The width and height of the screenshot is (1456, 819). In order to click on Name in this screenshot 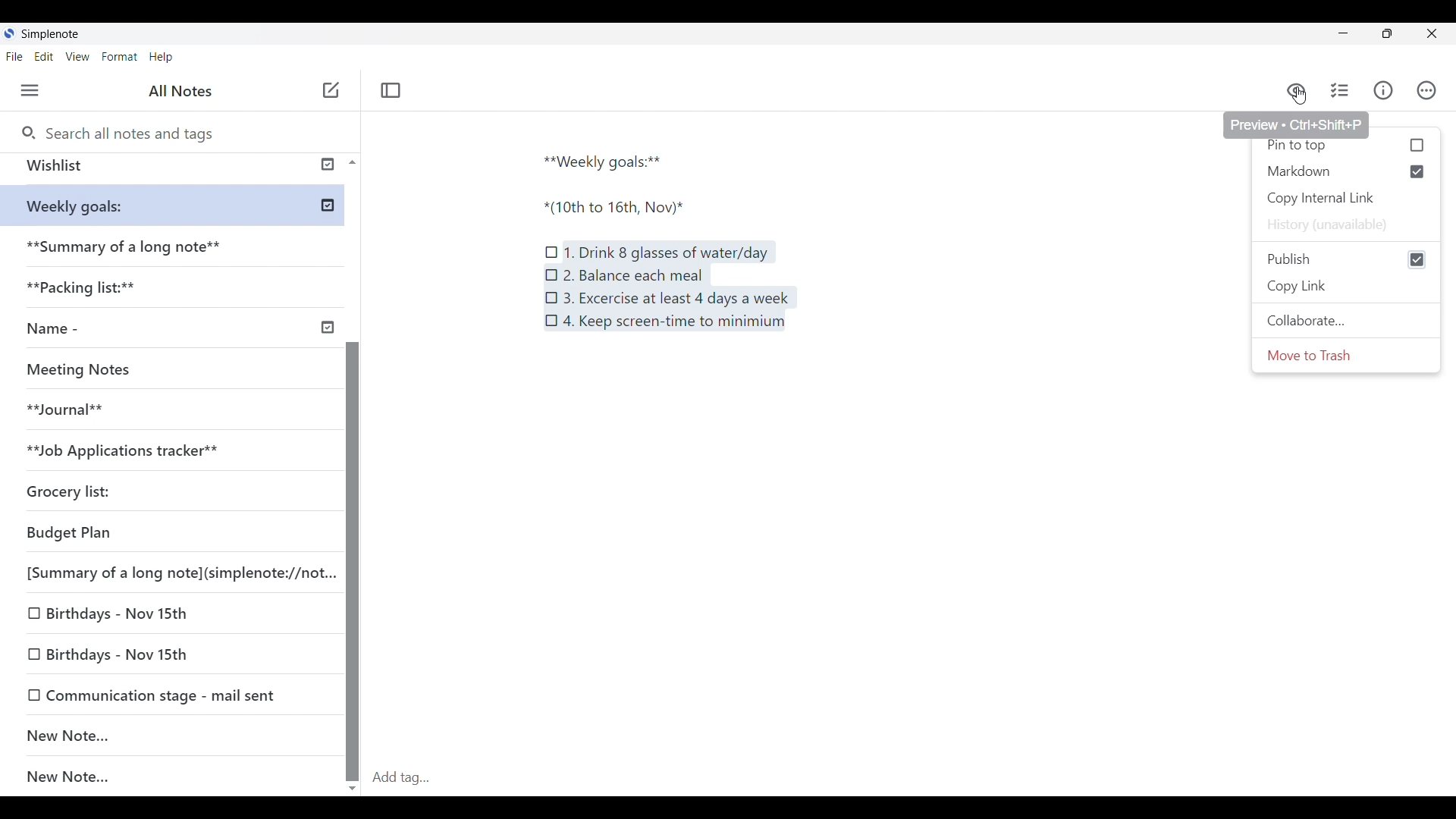, I will do `click(177, 329)`.